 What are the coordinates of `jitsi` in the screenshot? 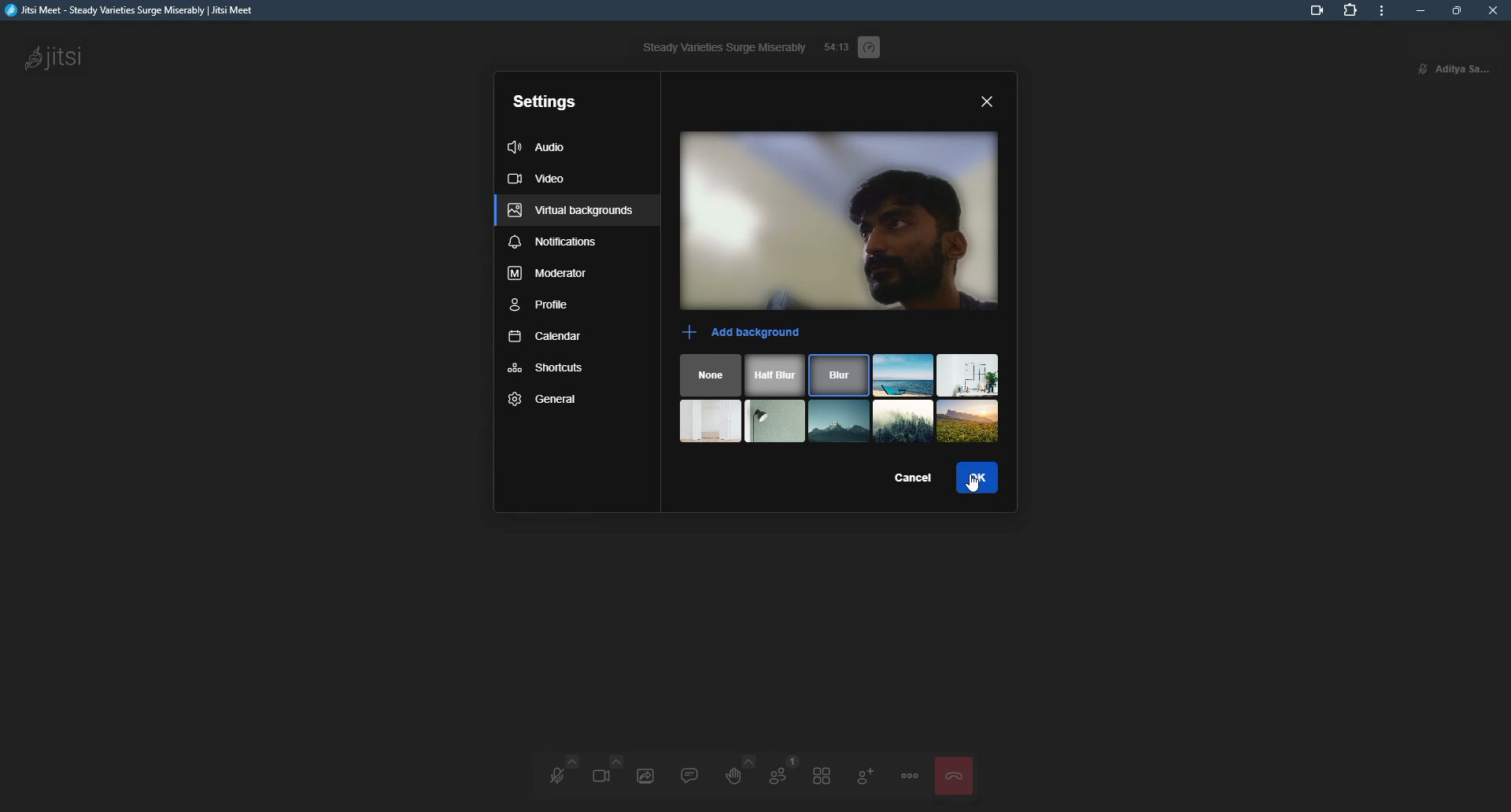 It's located at (132, 14).